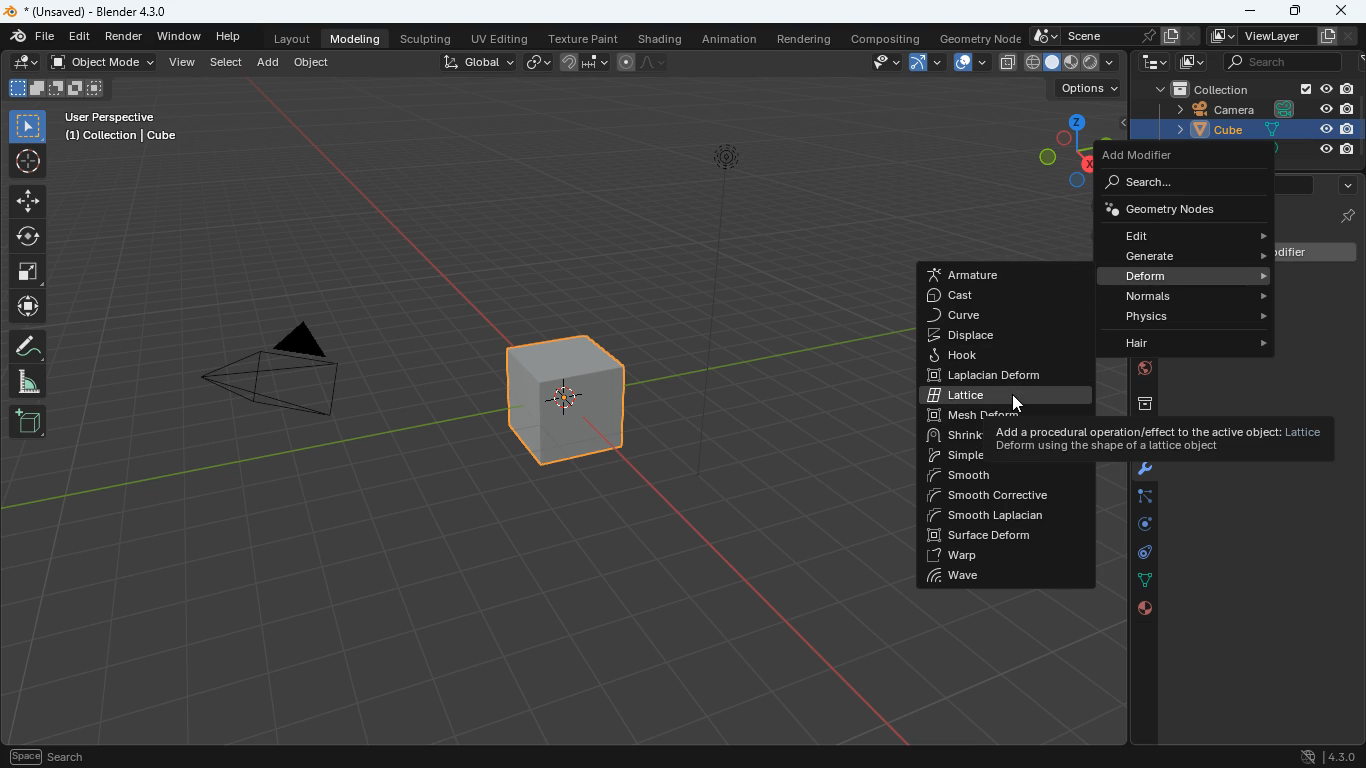 The width and height of the screenshot is (1366, 768). I want to click on options, so click(1090, 88).